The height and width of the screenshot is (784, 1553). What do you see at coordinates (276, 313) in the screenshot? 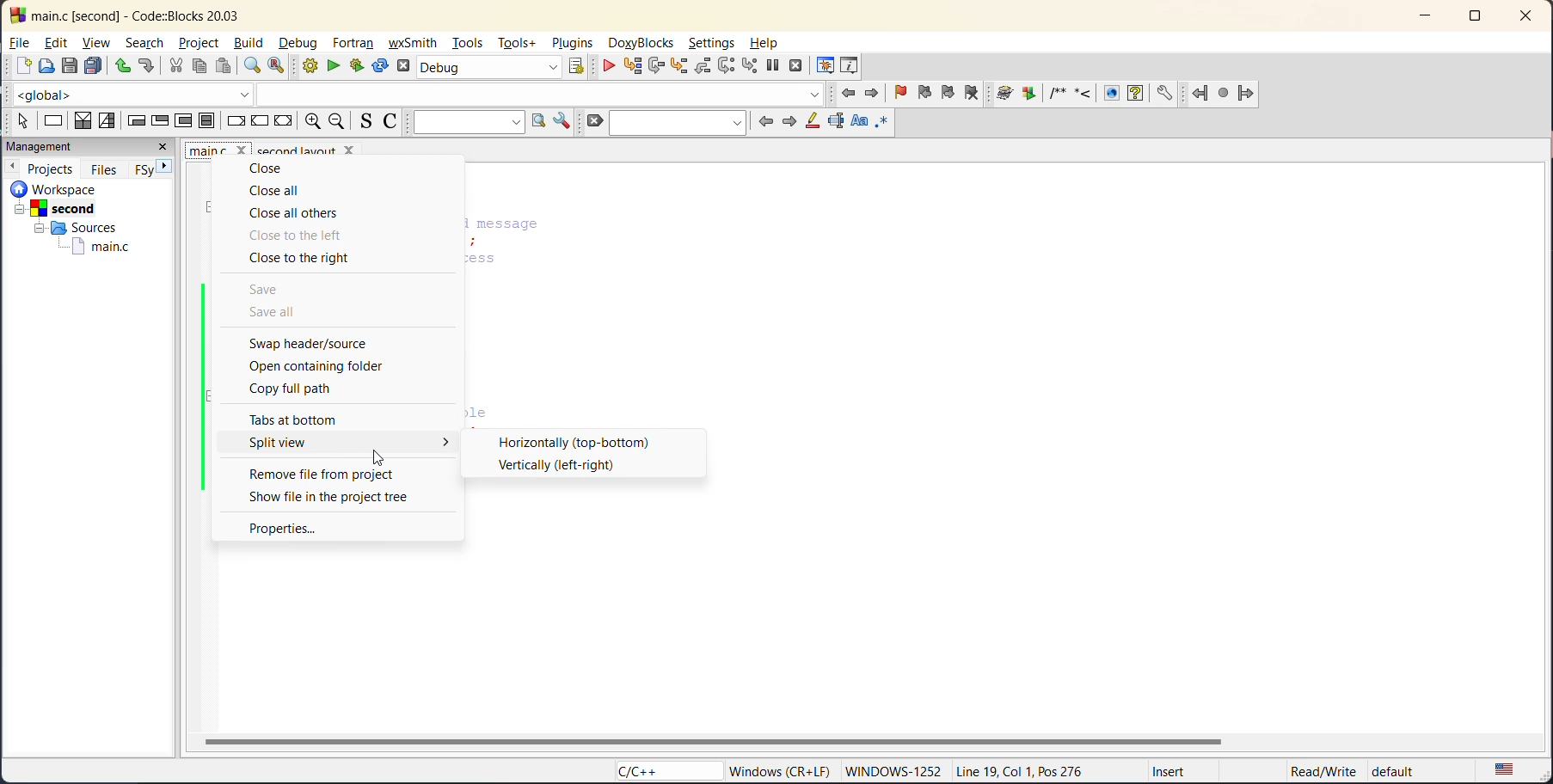
I see `save all` at bounding box center [276, 313].